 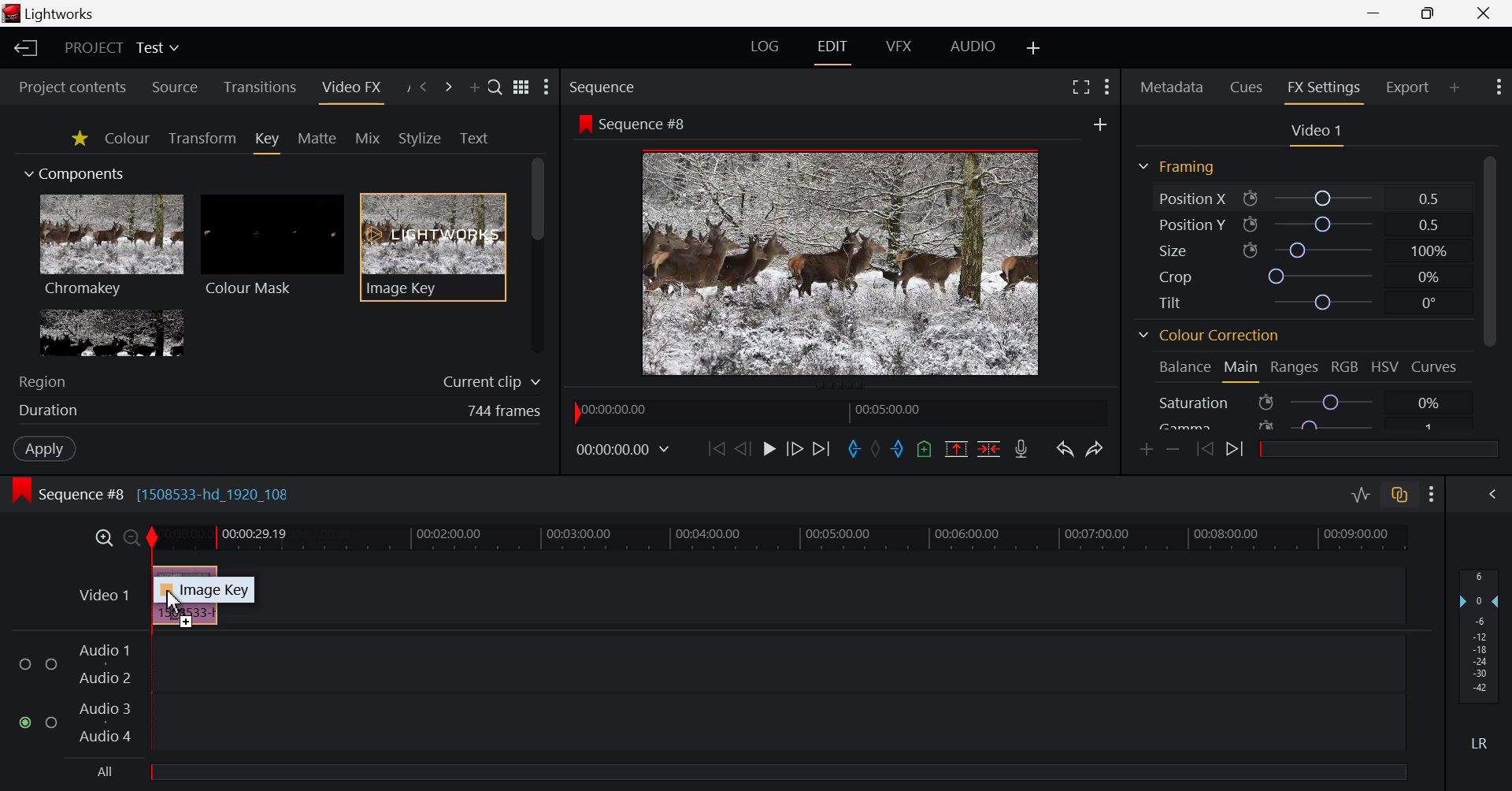 What do you see at coordinates (1194, 403) in the screenshot?
I see `Saturation` at bounding box center [1194, 403].